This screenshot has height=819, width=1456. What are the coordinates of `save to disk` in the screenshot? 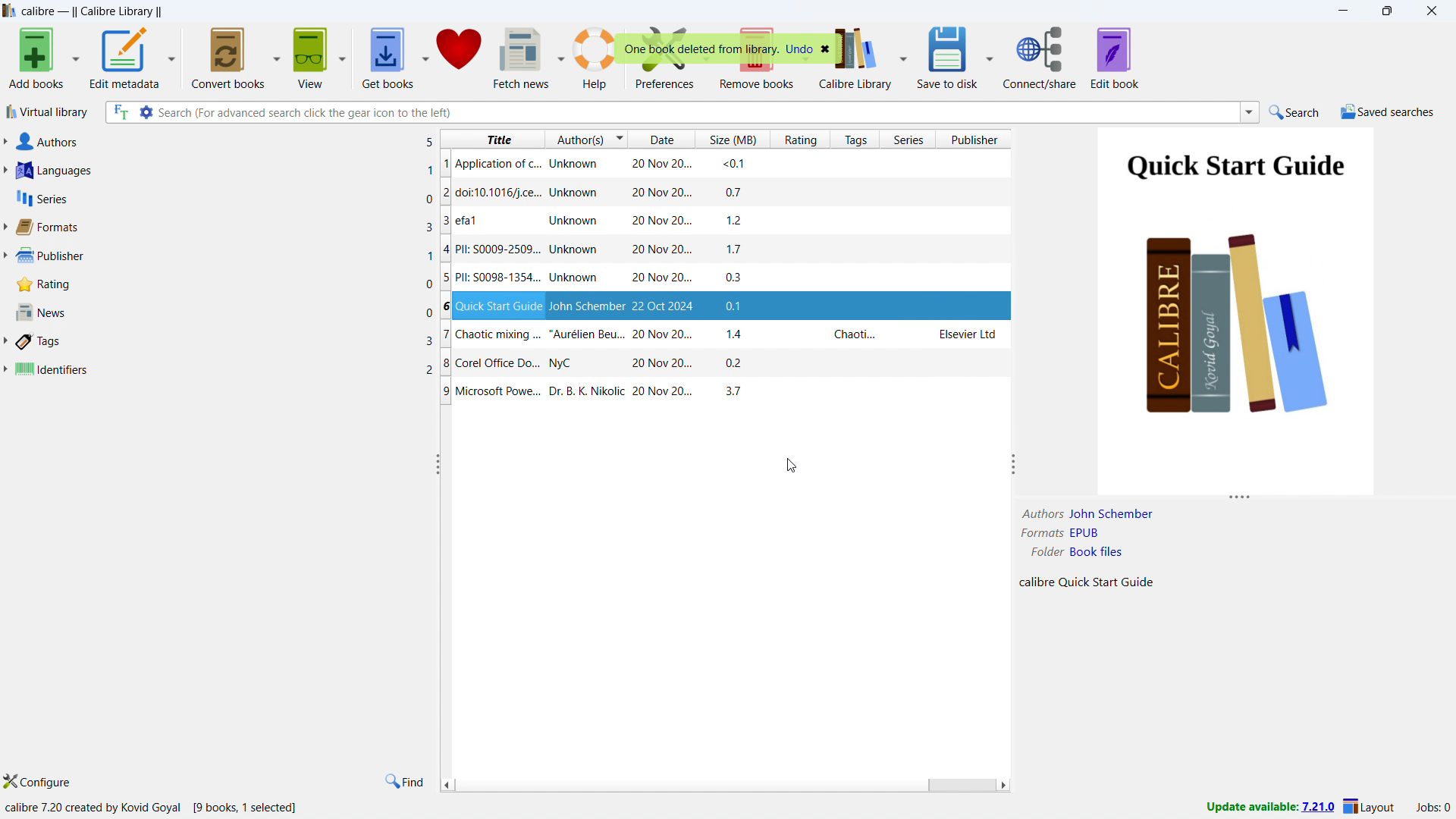 It's located at (948, 57).